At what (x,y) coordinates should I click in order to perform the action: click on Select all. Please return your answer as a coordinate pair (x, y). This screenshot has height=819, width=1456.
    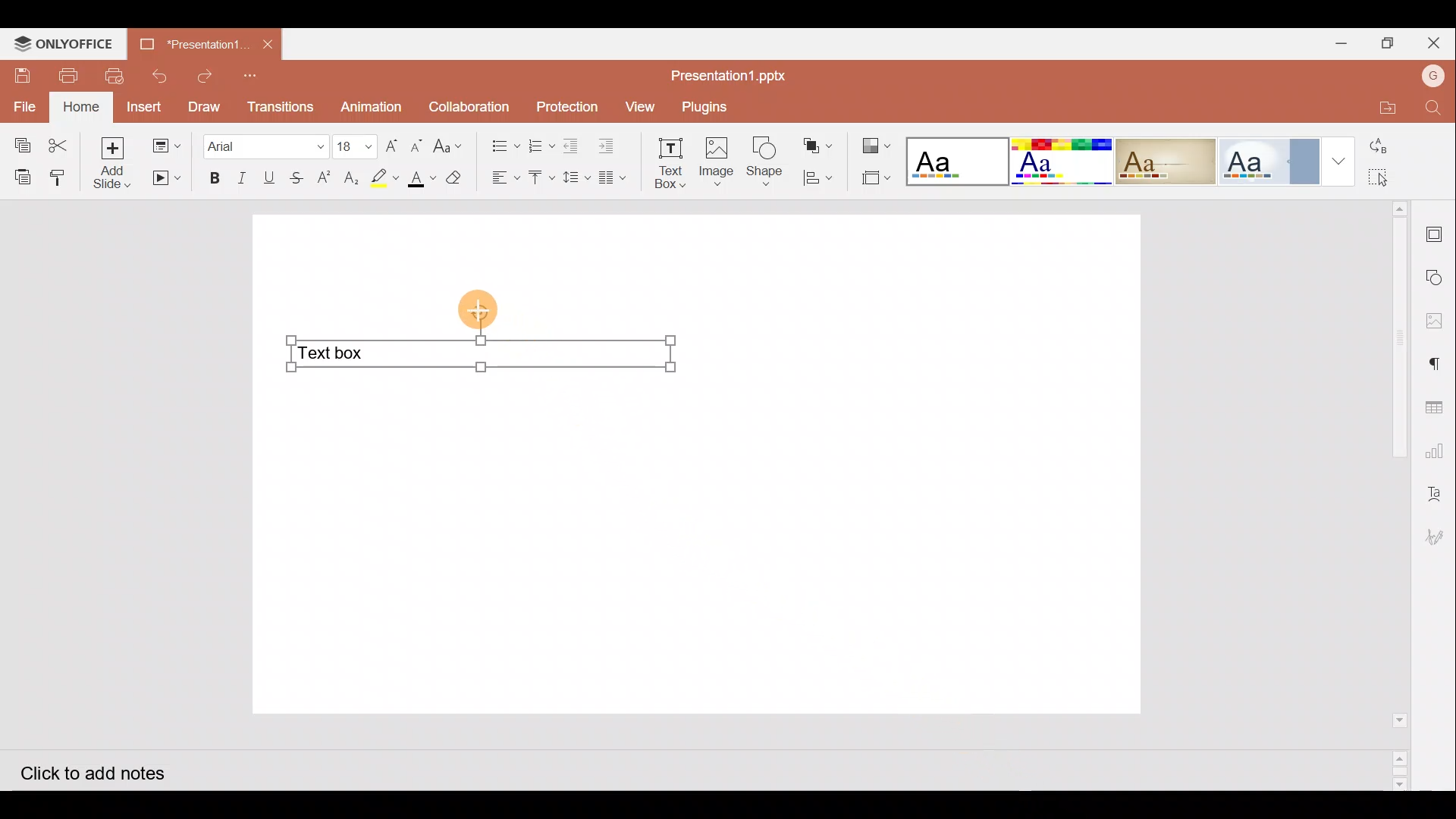
    Looking at the image, I should click on (1398, 178).